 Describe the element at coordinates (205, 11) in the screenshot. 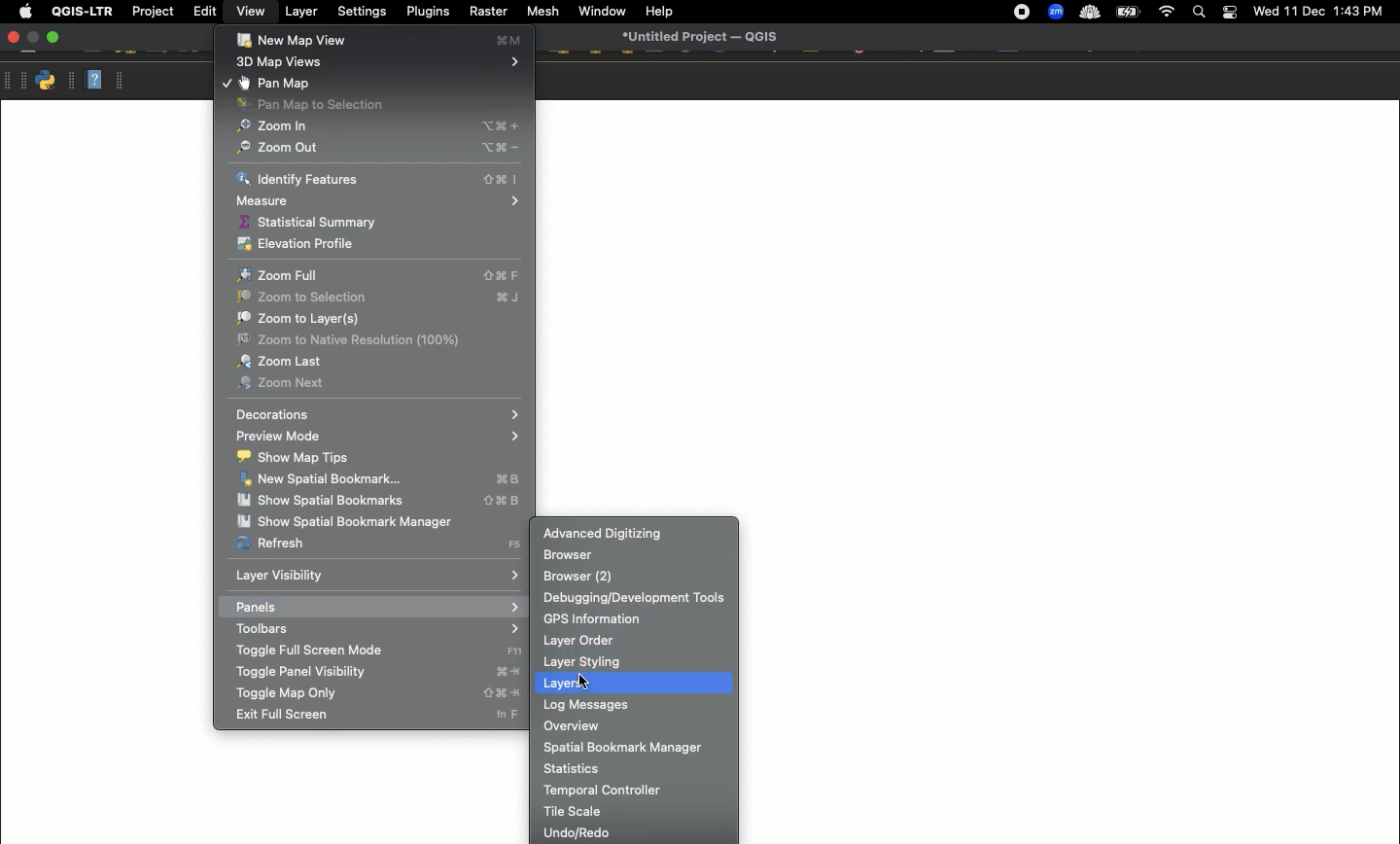

I see `Edit` at that location.